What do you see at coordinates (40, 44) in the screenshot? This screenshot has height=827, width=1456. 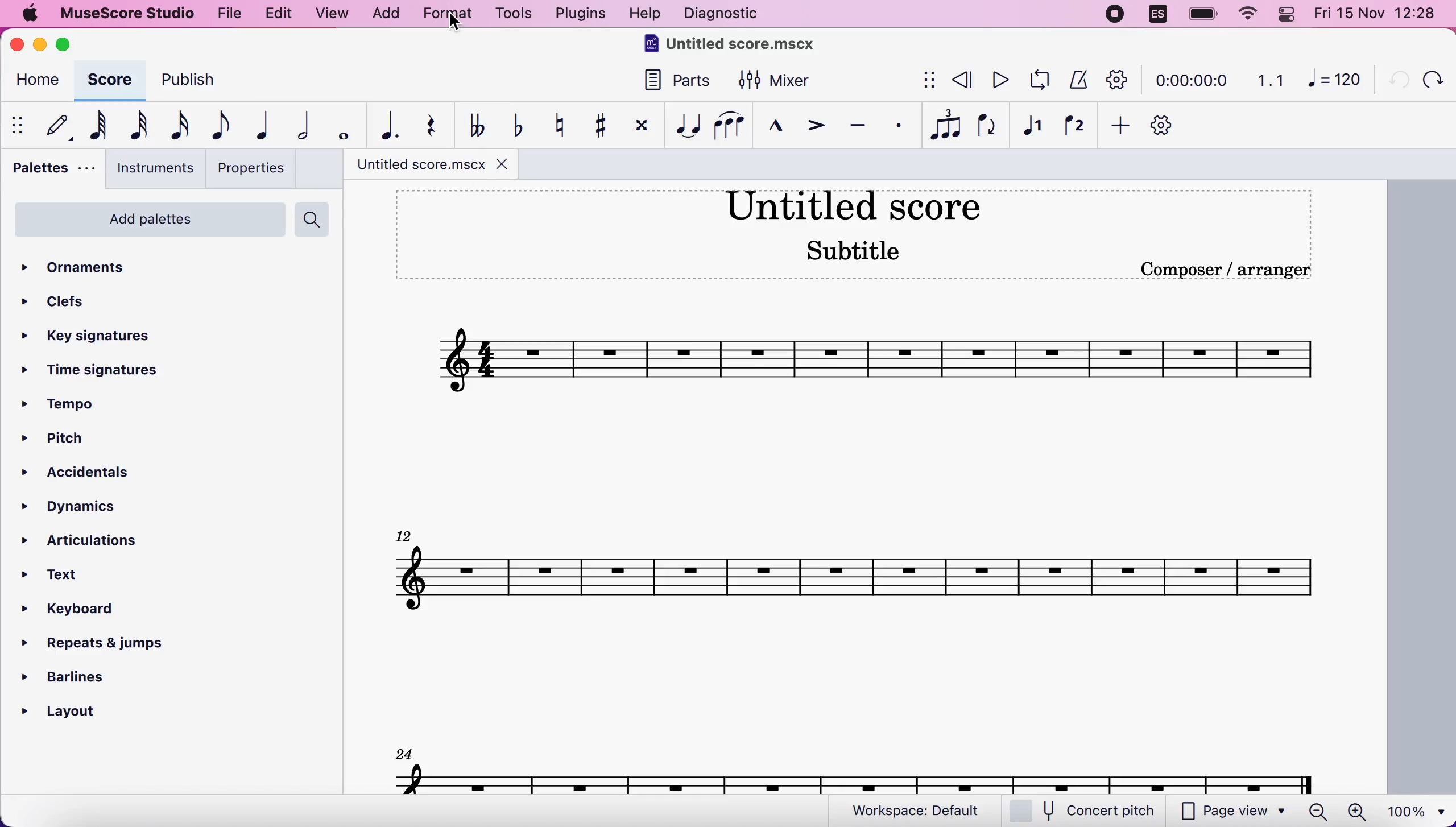 I see `minimize` at bounding box center [40, 44].